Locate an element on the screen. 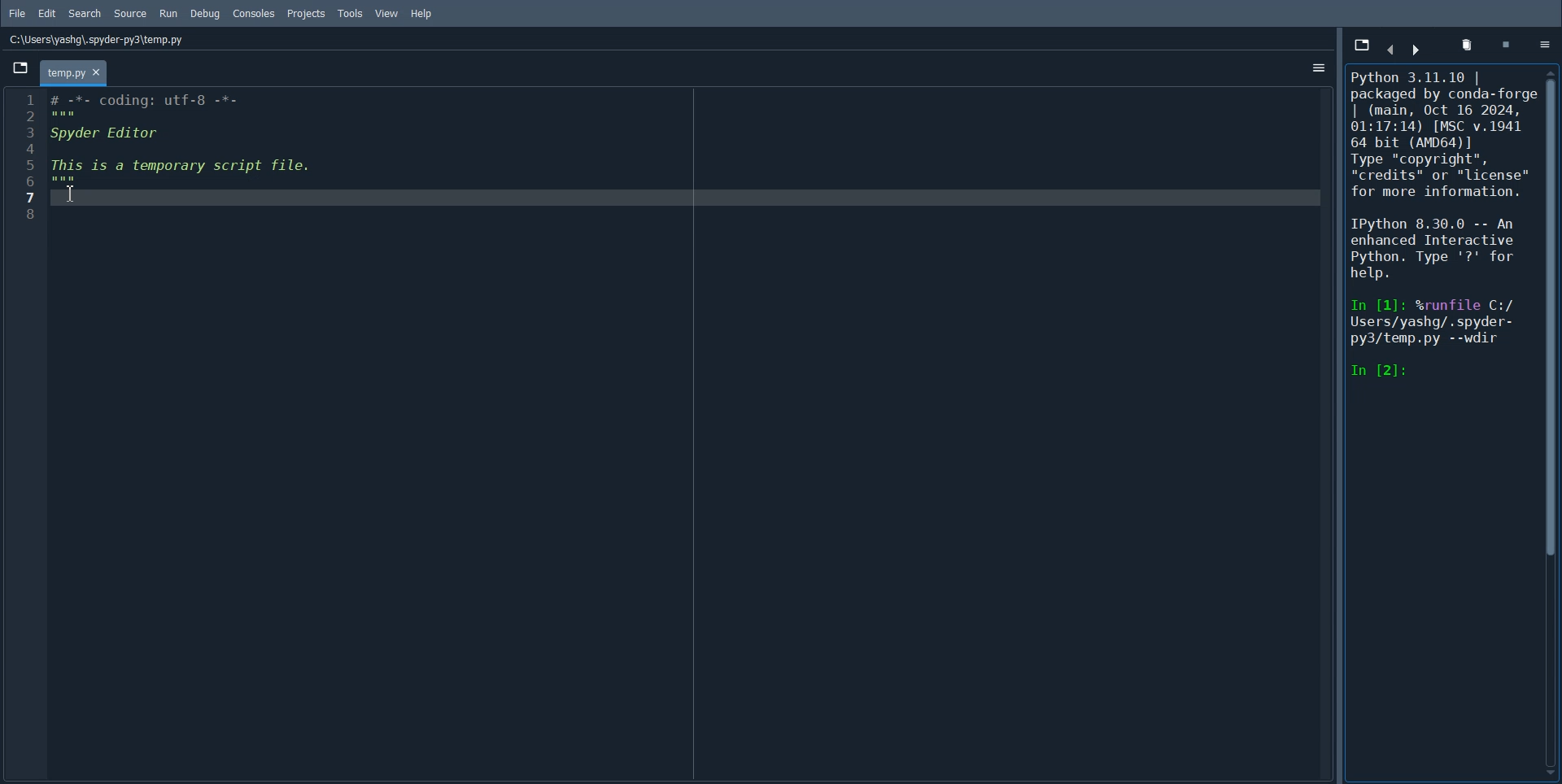  File is located at coordinates (17, 14).